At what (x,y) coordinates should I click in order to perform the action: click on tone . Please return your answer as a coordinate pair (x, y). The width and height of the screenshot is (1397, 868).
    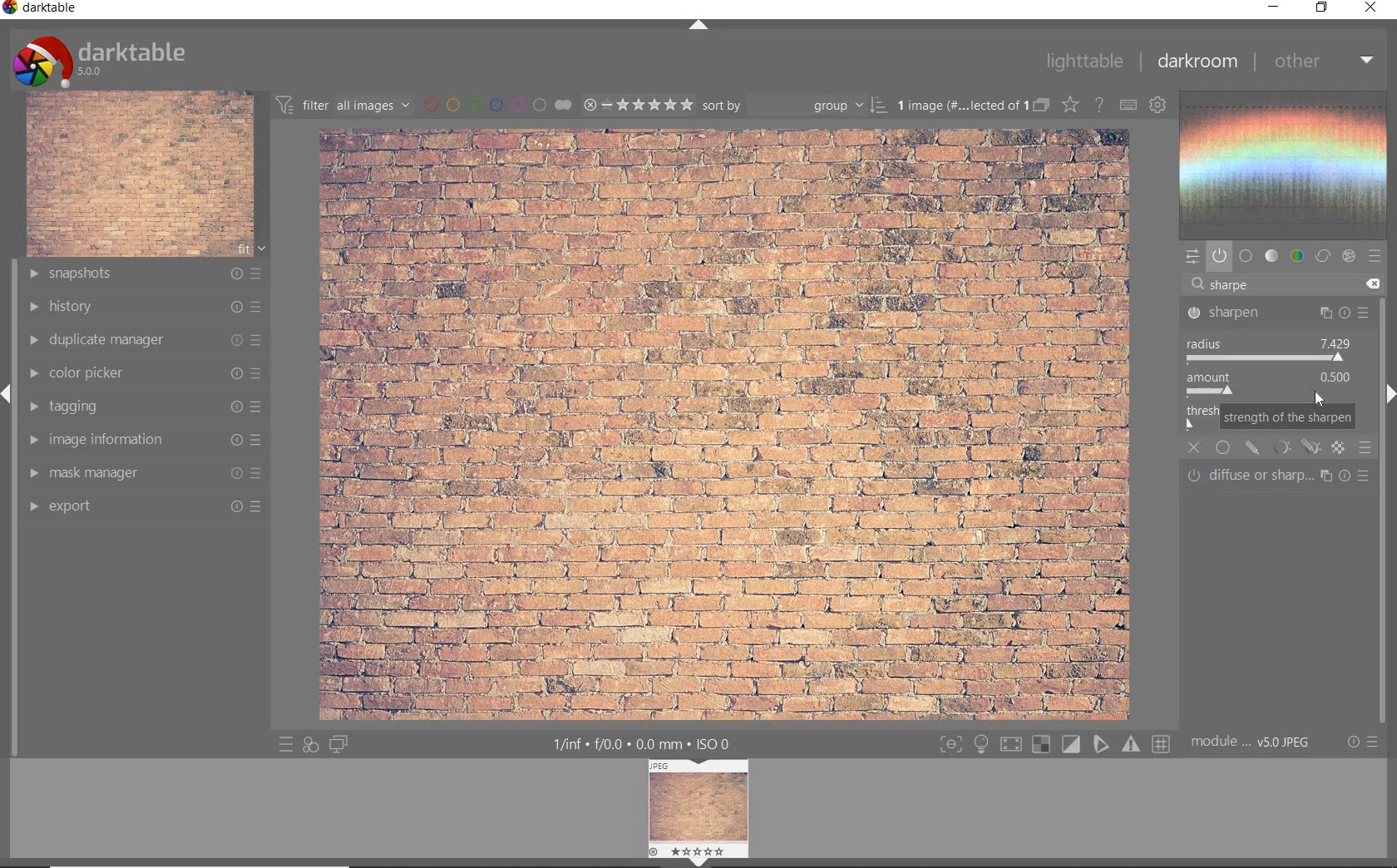
    Looking at the image, I should click on (1272, 256).